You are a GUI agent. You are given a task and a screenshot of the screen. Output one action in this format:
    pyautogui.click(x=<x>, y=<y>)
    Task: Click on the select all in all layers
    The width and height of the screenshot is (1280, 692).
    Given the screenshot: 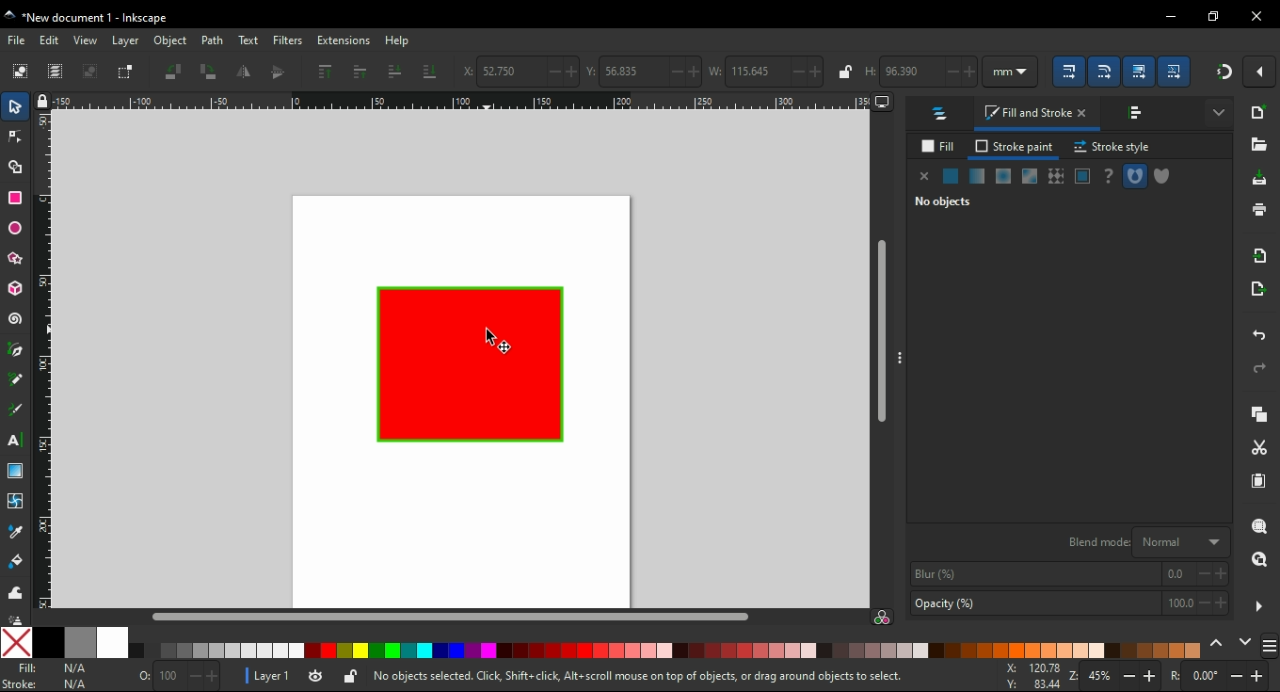 What is the action you would take?
    pyautogui.click(x=57, y=72)
    